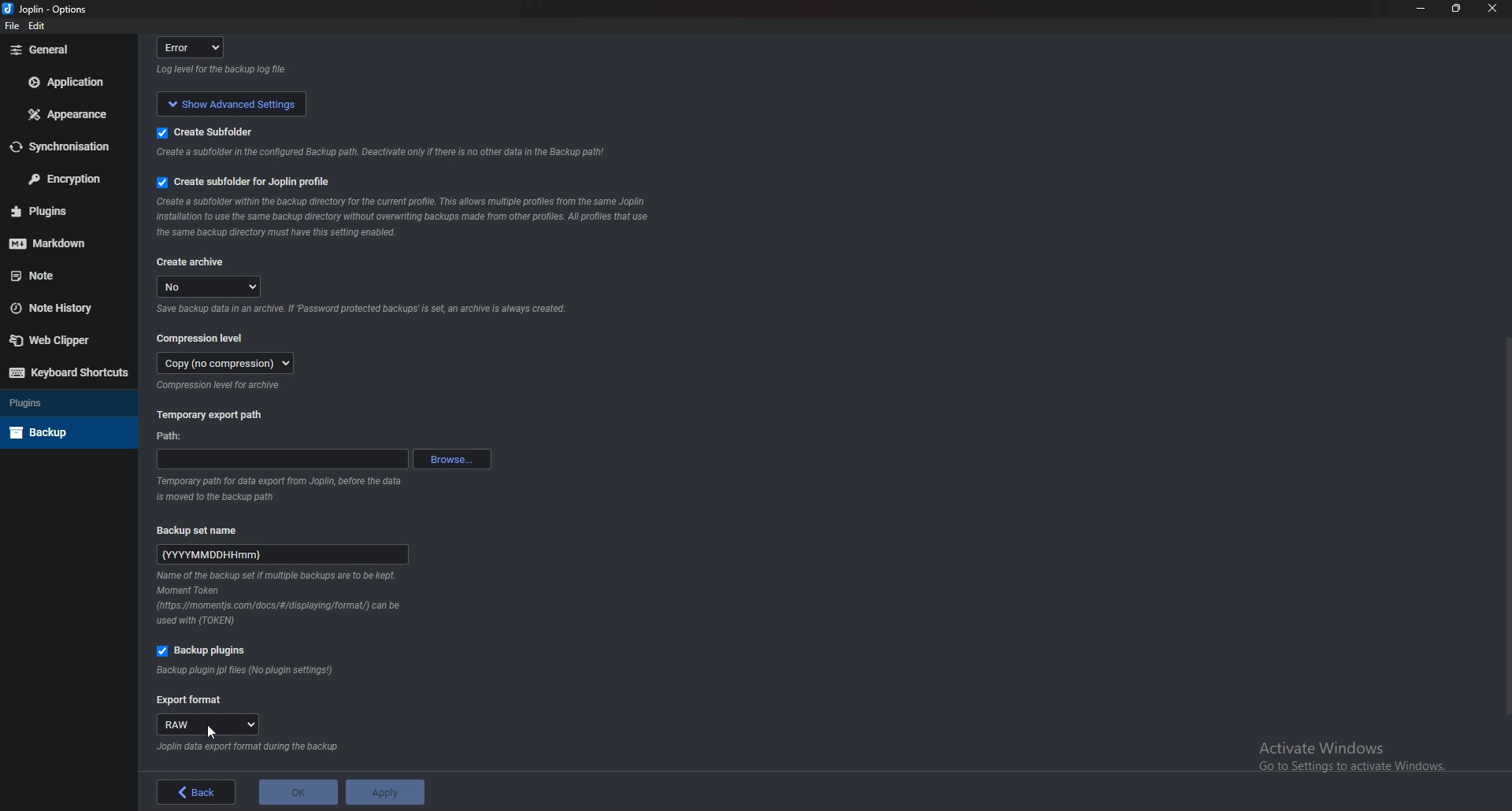  I want to click on Info, so click(246, 671).